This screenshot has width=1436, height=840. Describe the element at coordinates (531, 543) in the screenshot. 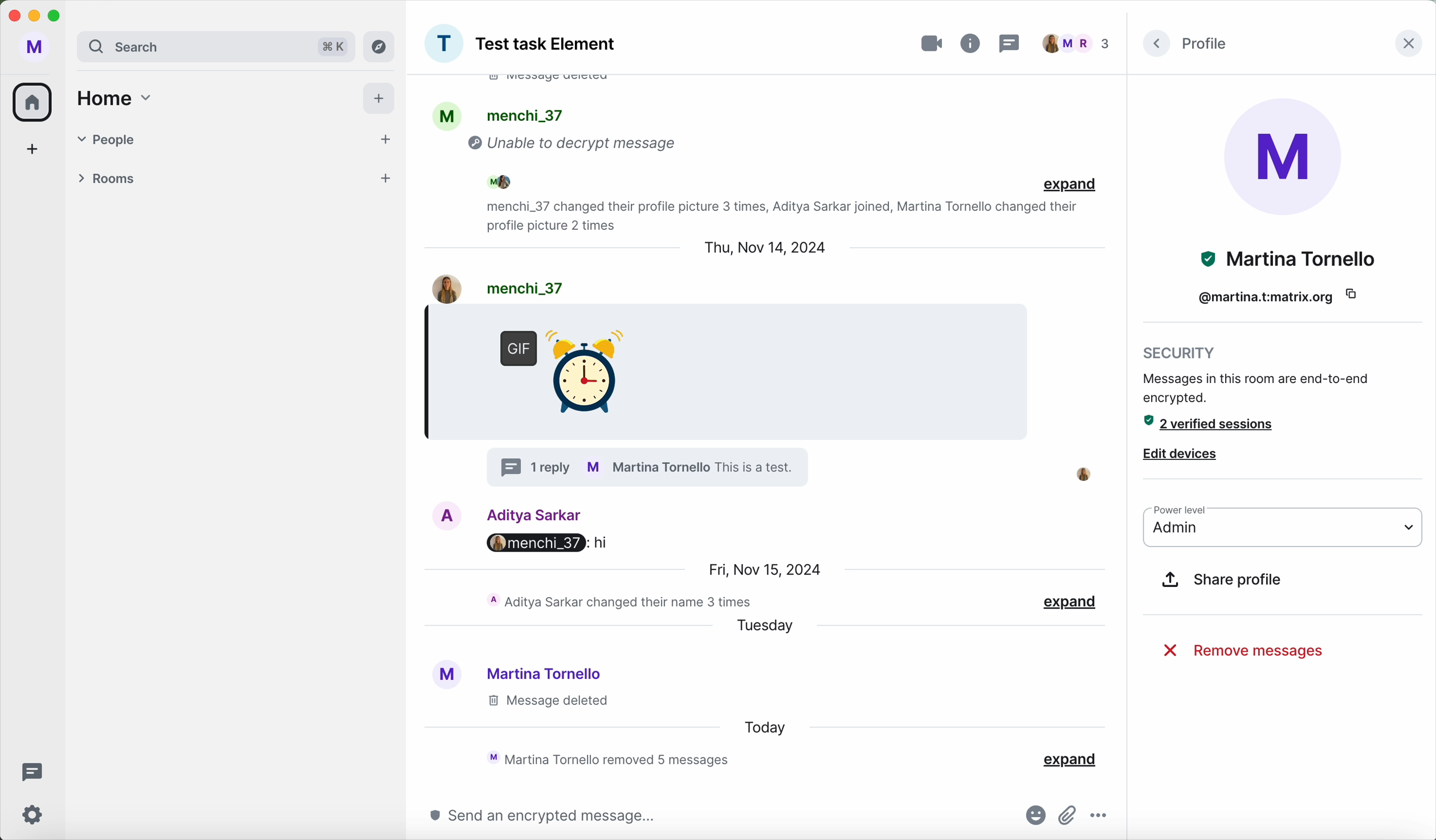

I see `menchi_37: hi` at that location.